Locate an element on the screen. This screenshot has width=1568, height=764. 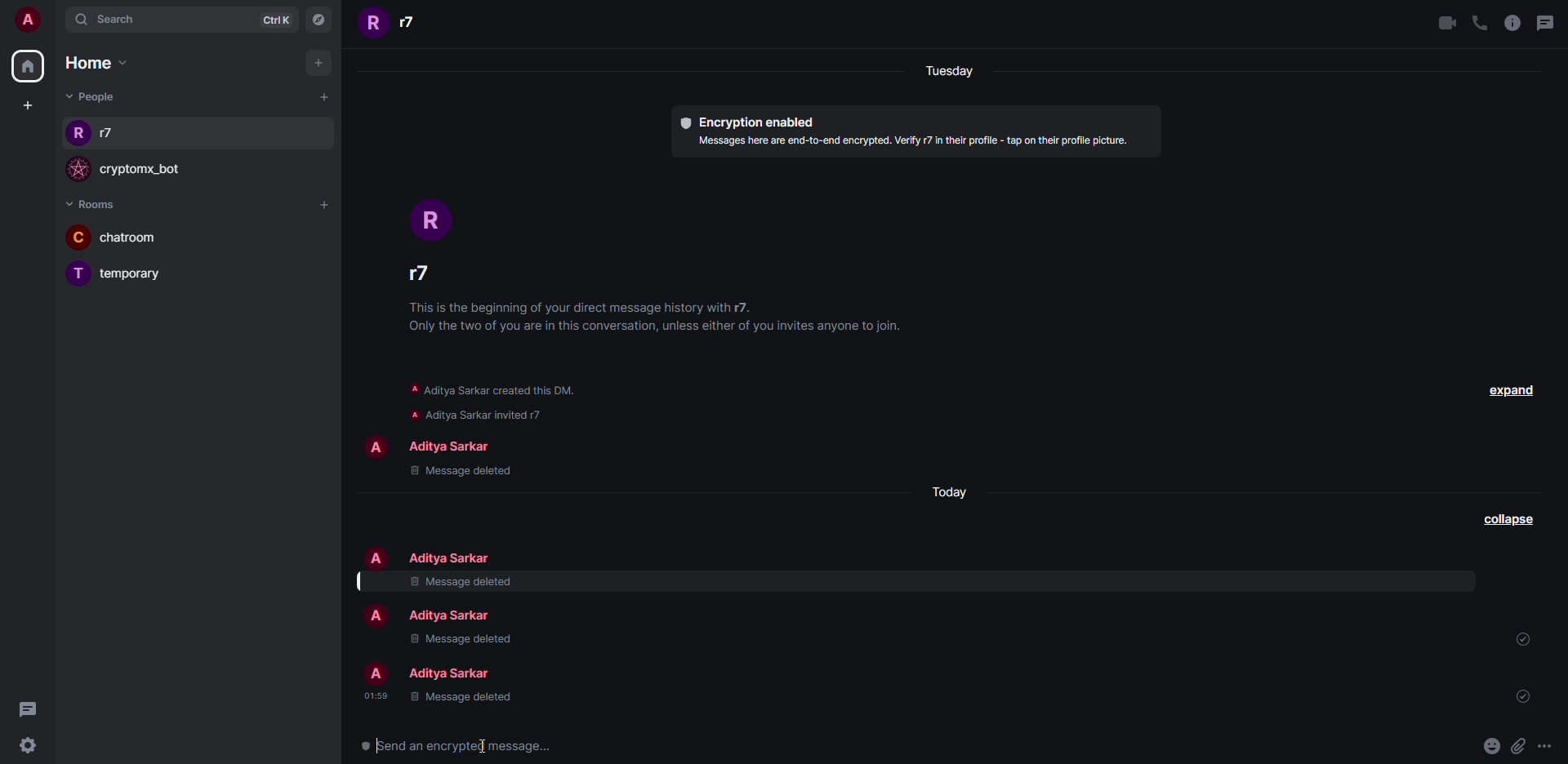
add is located at coordinates (318, 63).